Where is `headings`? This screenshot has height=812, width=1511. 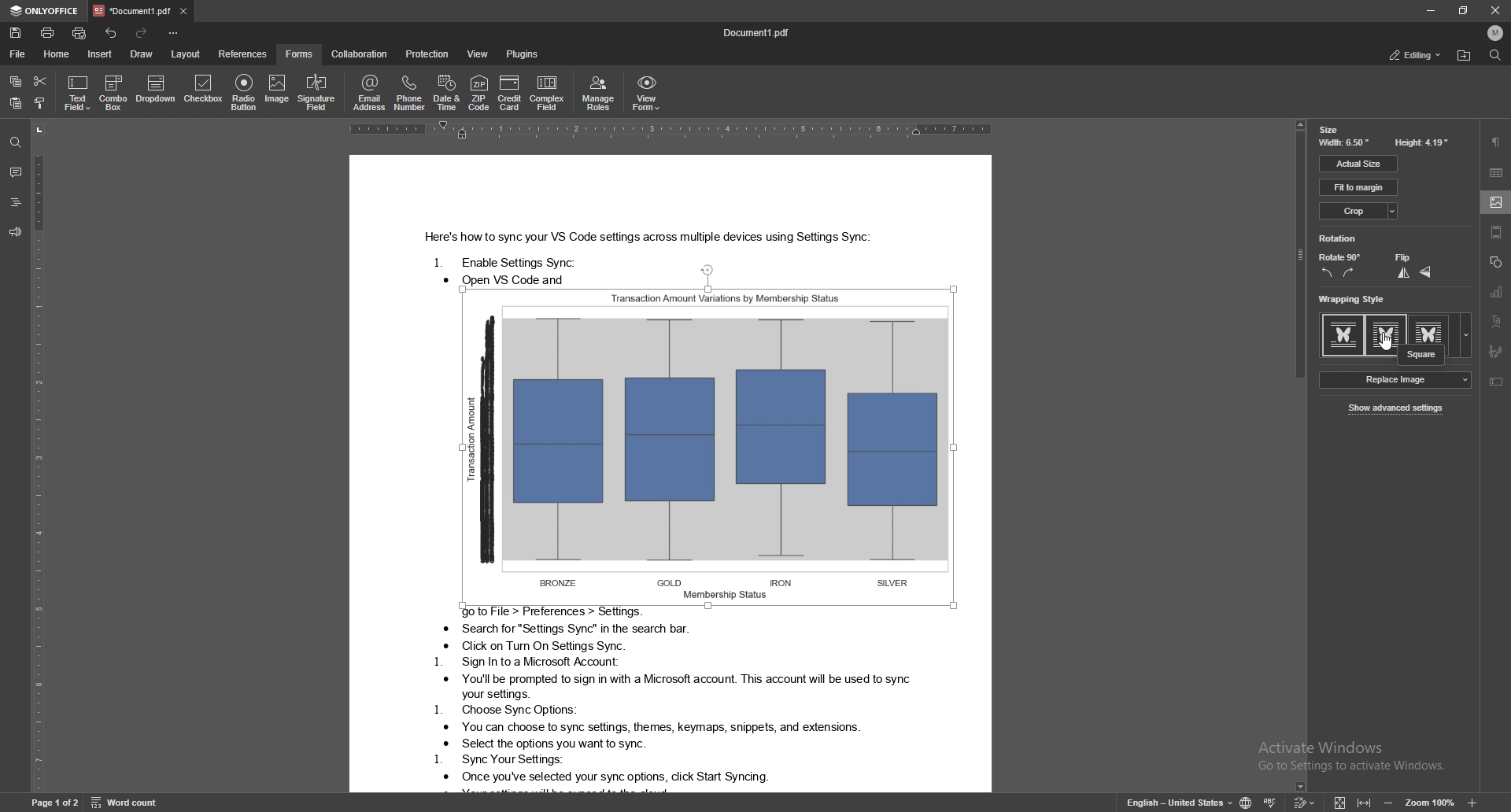
headings is located at coordinates (14, 203).